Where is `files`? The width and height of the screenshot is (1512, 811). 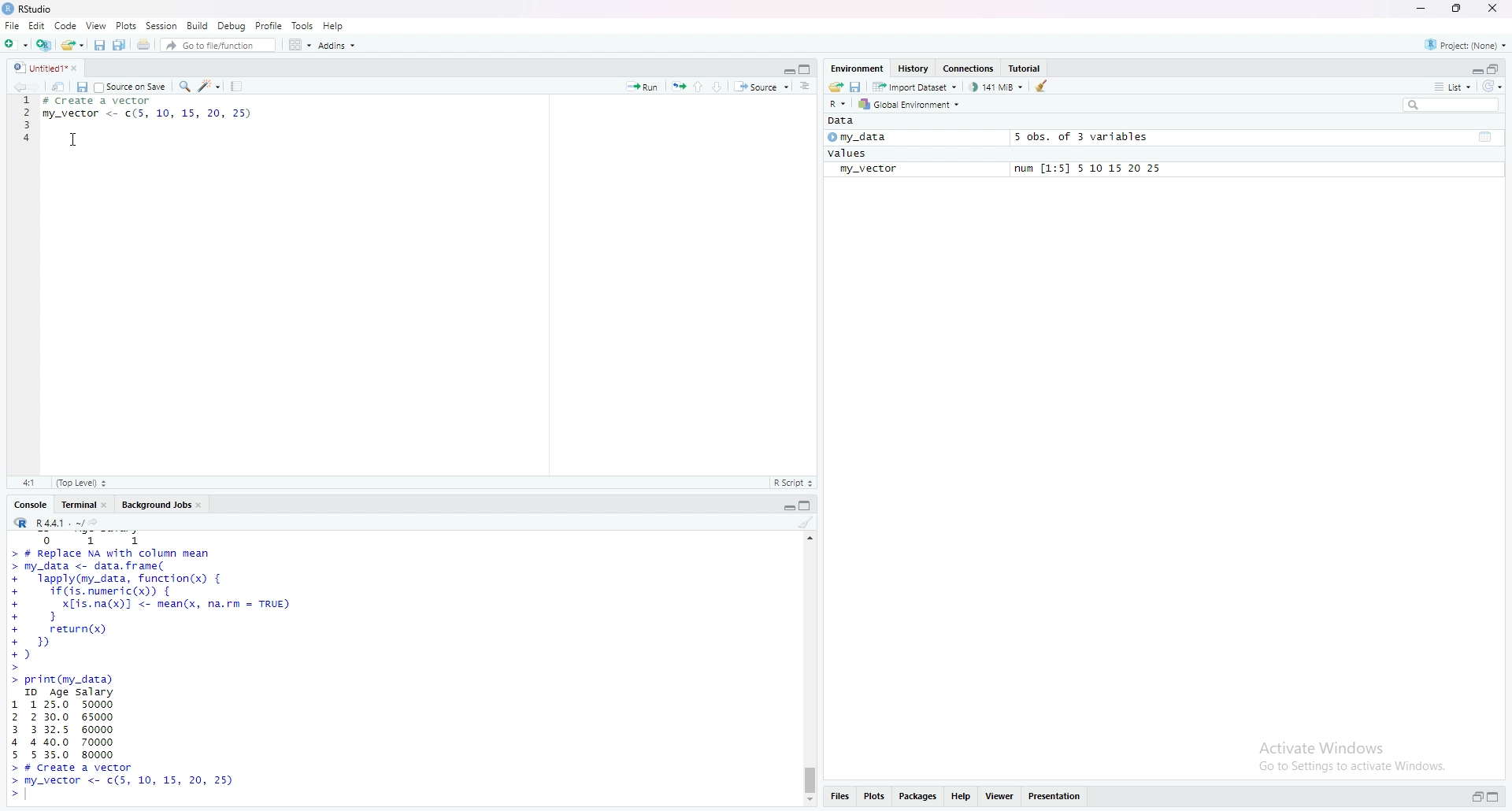
files is located at coordinates (843, 798).